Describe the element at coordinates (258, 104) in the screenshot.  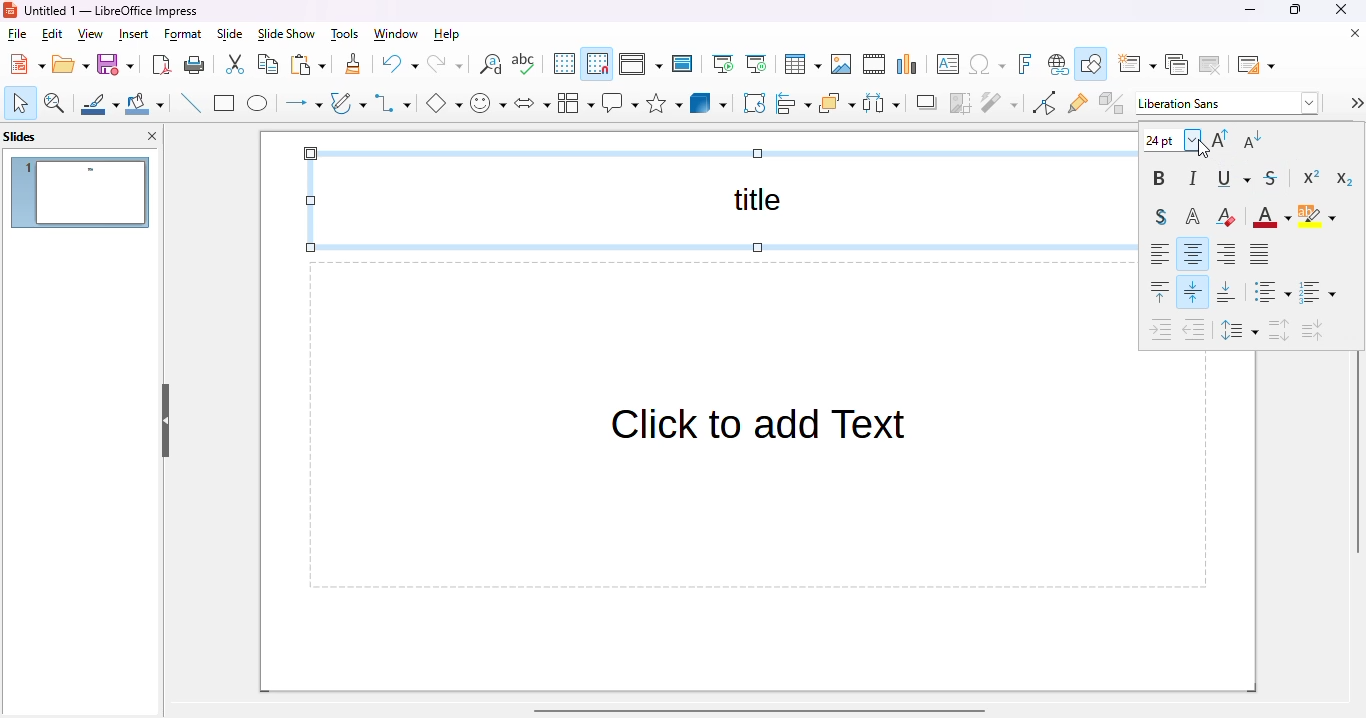
I see `ellipse` at that location.